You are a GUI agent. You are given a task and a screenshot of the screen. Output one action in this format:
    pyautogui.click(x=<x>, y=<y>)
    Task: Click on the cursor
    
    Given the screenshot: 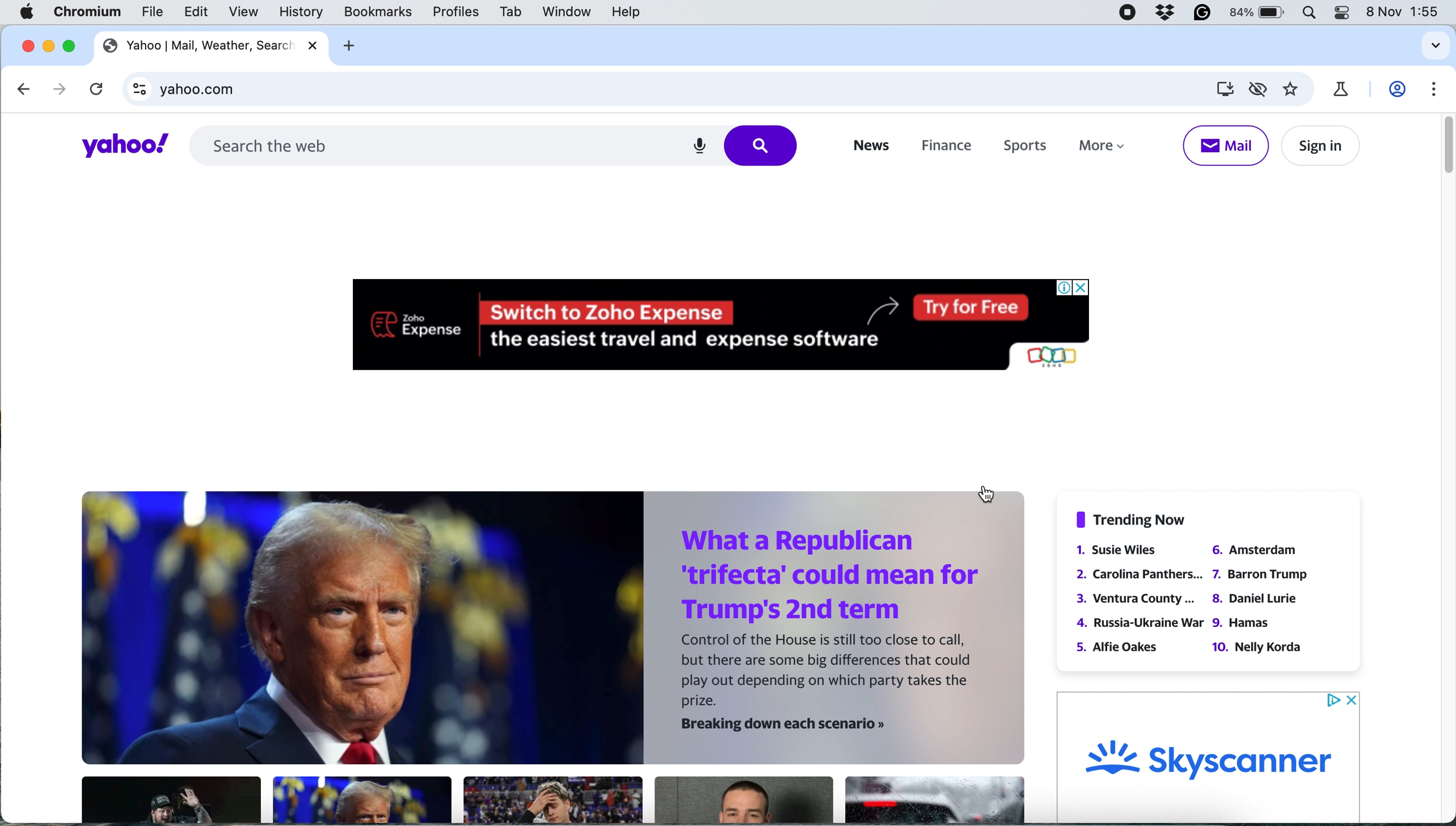 What is the action you would take?
    pyautogui.click(x=984, y=493)
    